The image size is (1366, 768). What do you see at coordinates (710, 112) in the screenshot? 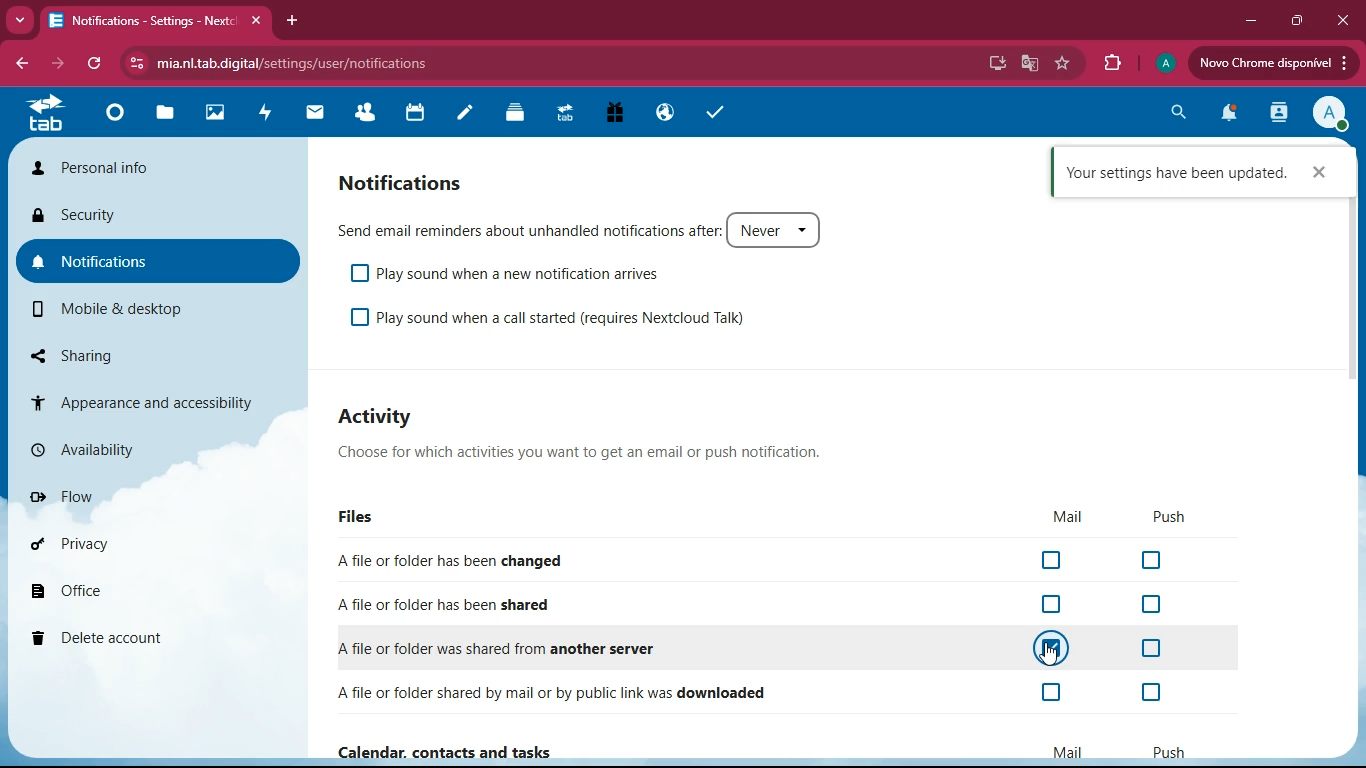
I see `tasks` at bounding box center [710, 112].